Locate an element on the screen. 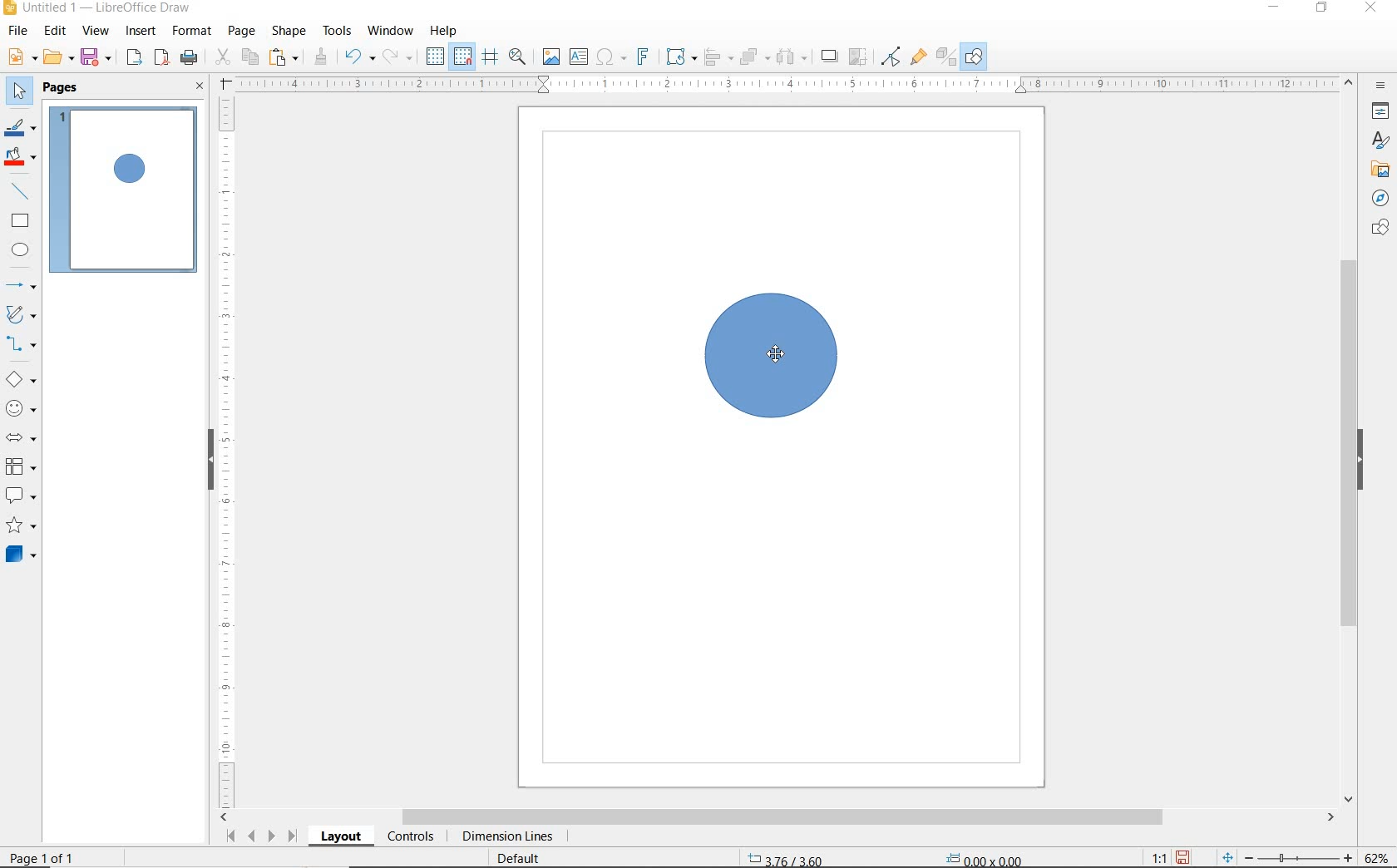  62% is located at coordinates (1380, 857).